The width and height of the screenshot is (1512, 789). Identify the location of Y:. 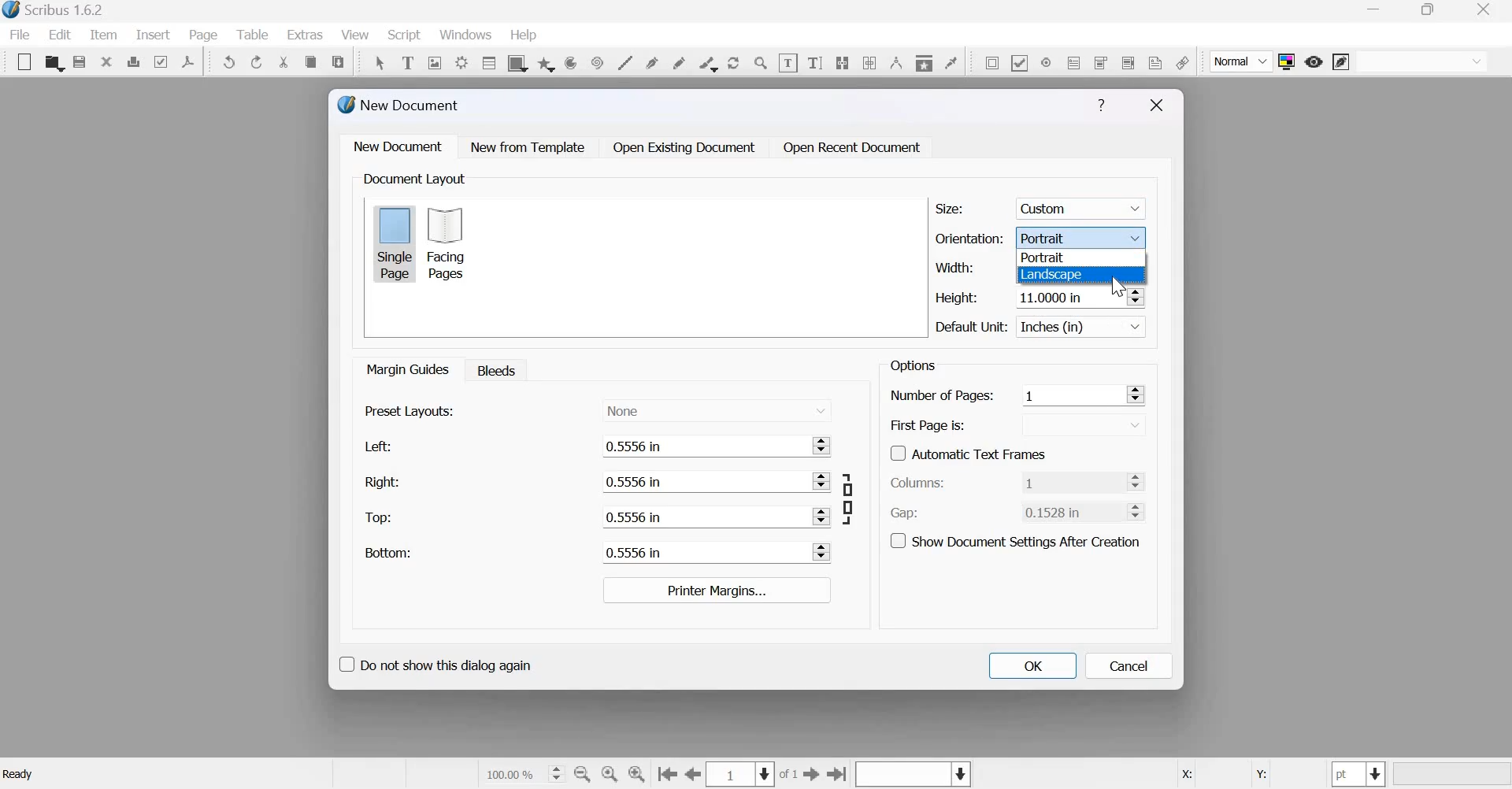
(1258, 775).